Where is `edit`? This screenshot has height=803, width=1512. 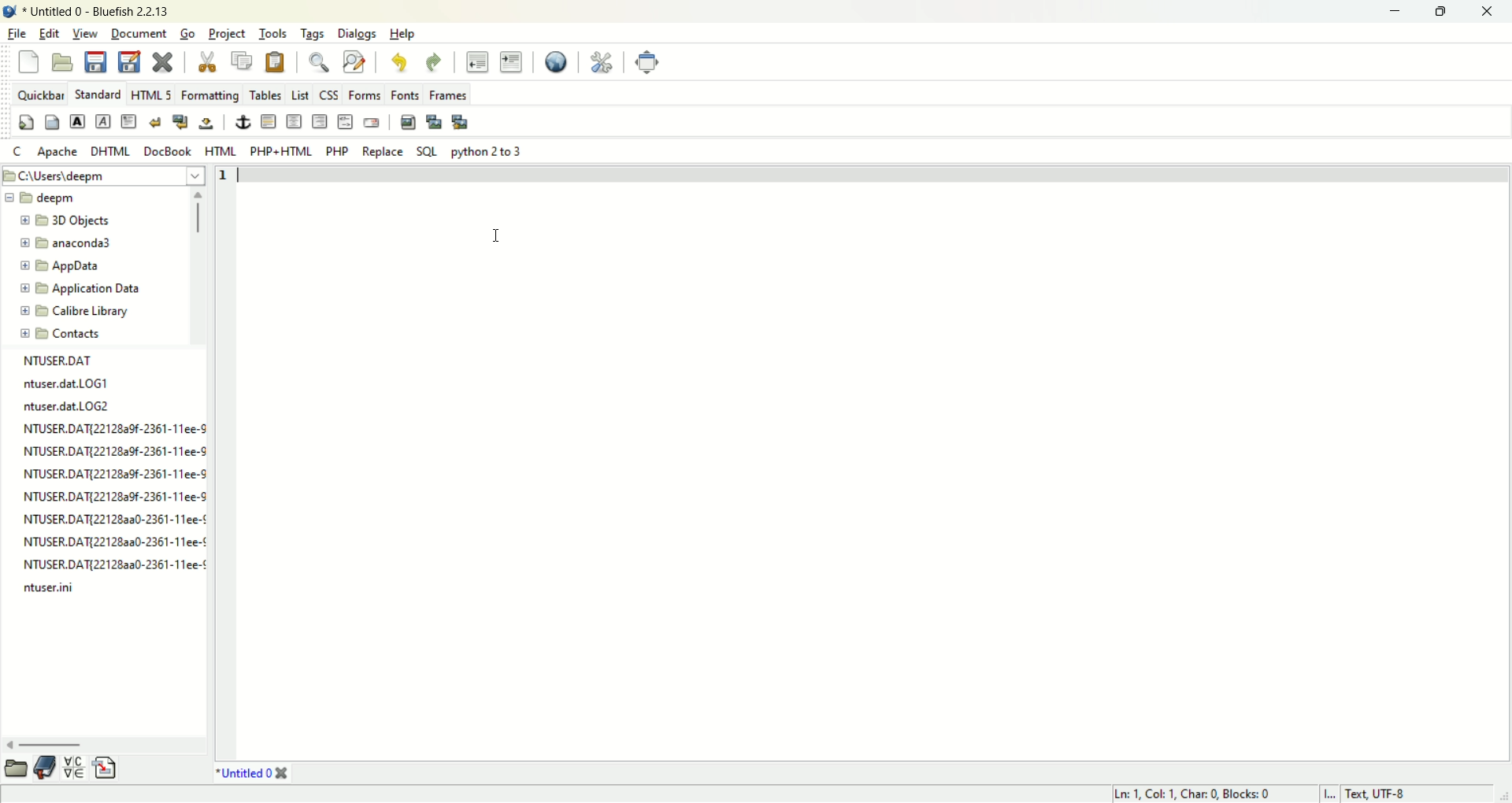 edit is located at coordinates (50, 33).